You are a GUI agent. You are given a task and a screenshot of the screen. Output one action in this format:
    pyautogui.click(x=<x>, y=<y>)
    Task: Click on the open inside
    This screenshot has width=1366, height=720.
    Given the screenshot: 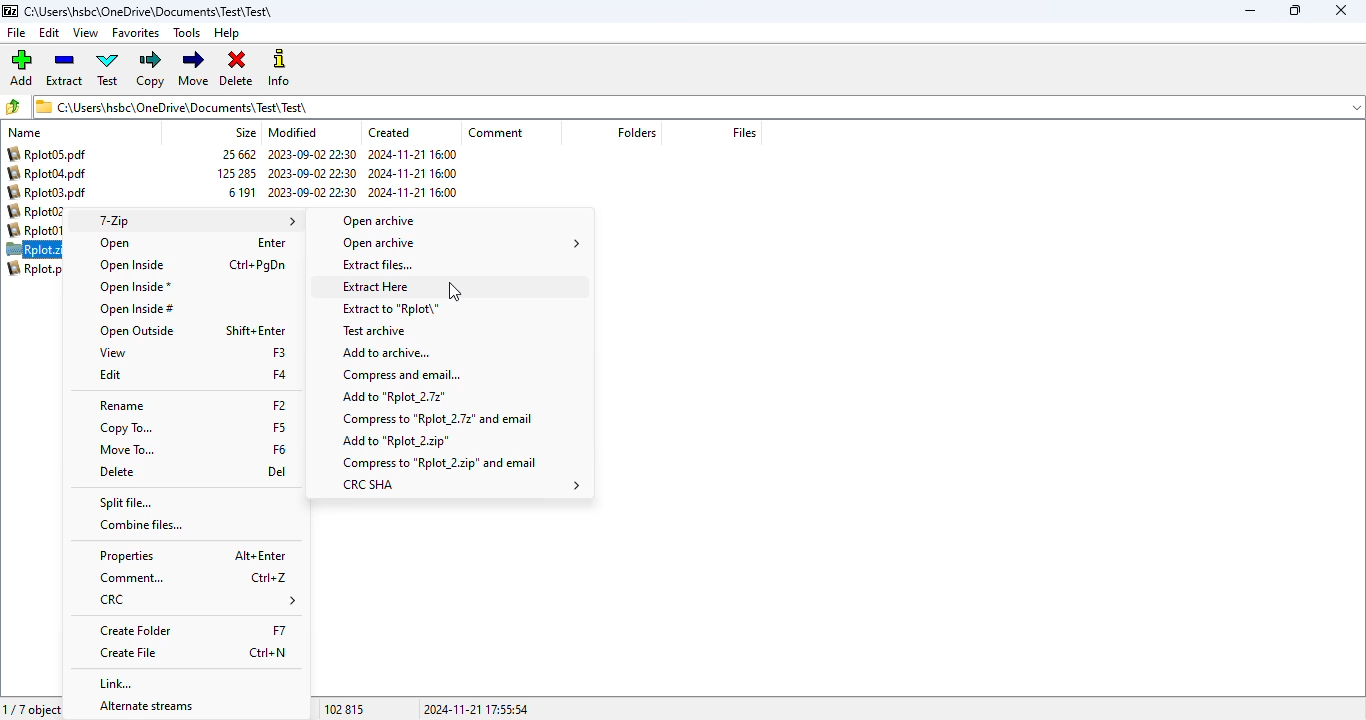 What is the action you would take?
    pyautogui.click(x=130, y=265)
    